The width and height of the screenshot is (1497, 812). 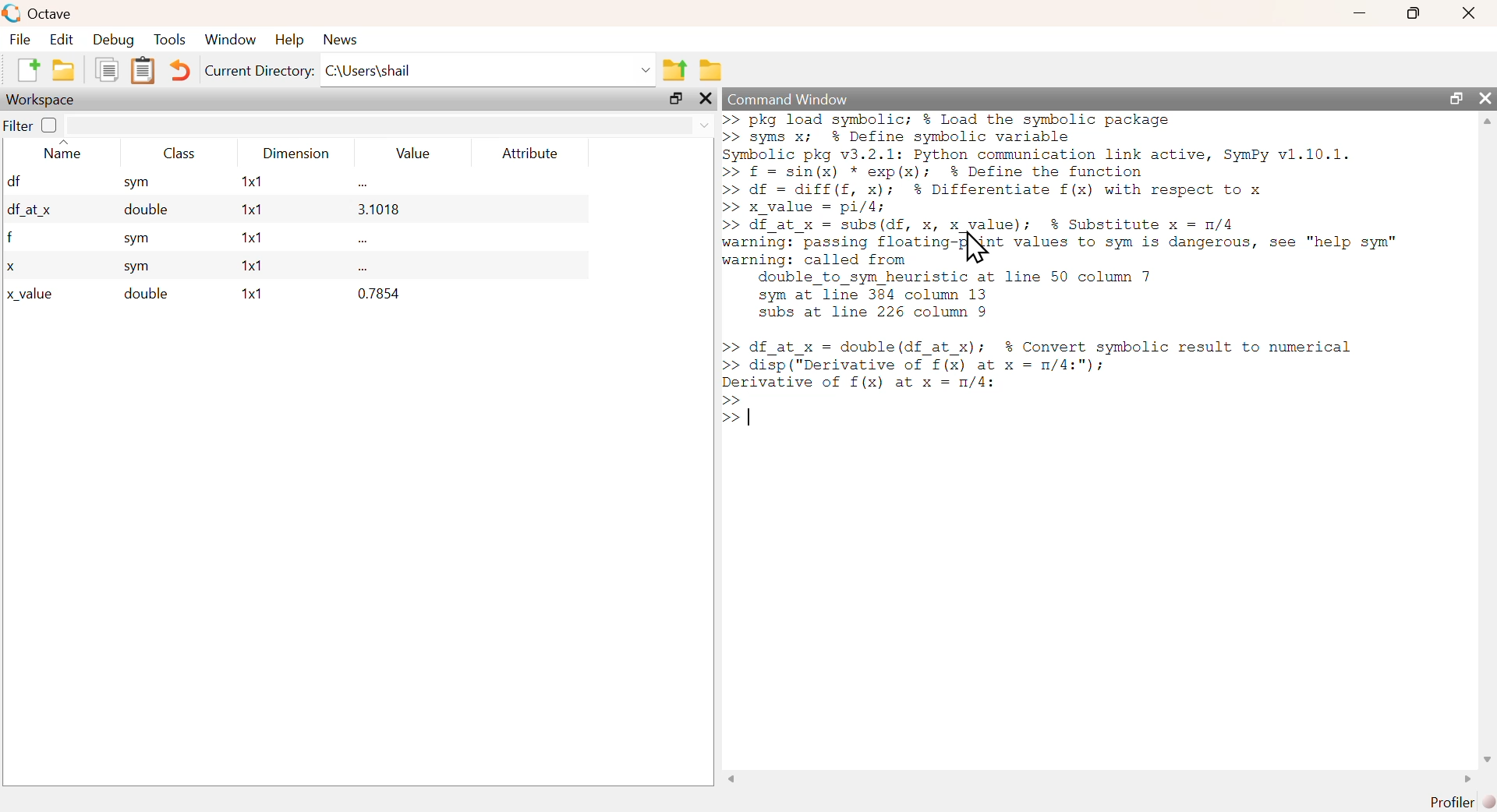 What do you see at coordinates (250, 294) in the screenshot?
I see `1x1` at bounding box center [250, 294].